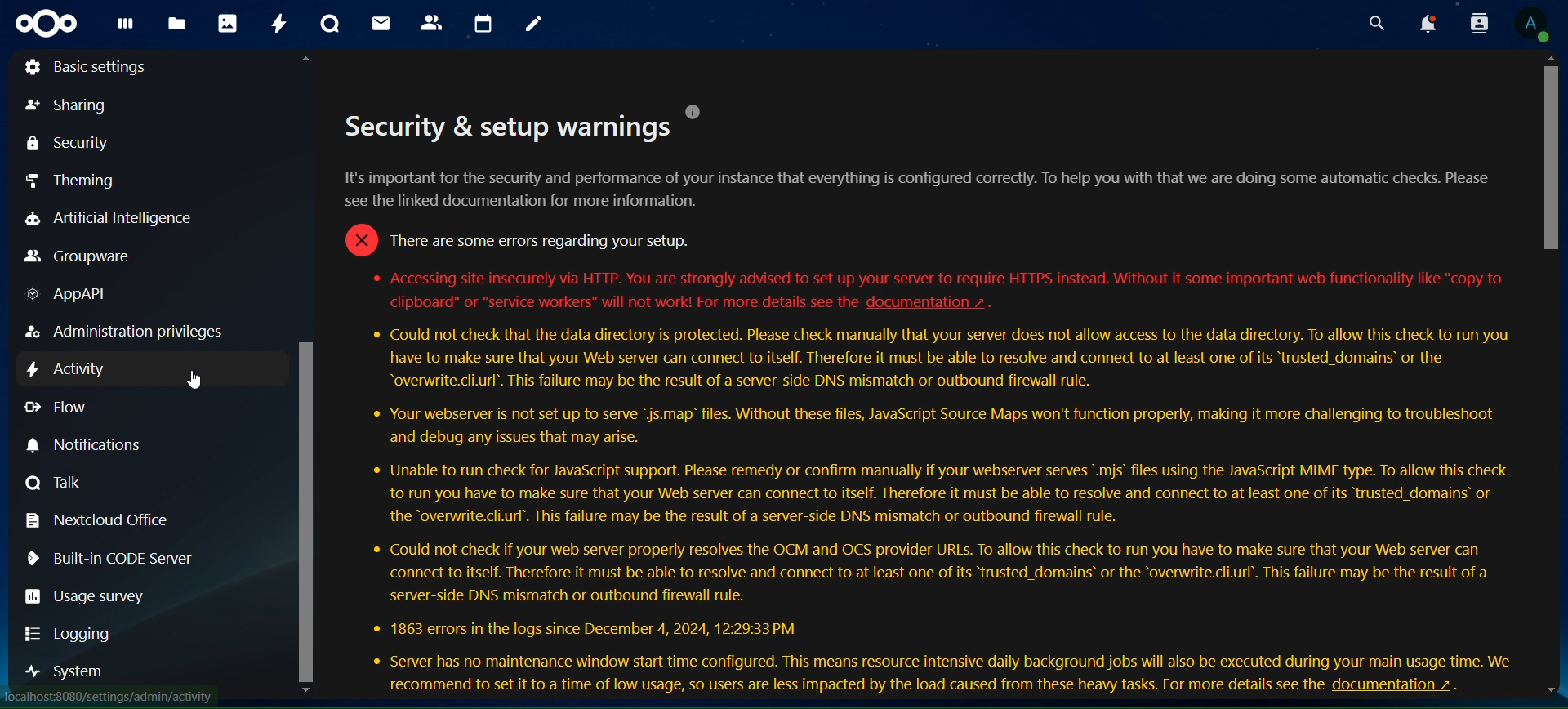 The width and height of the screenshot is (1568, 709). What do you see at coordinates (87, 596) in the screenshot?
I see `usage survey` at bounding box center [87, 596].